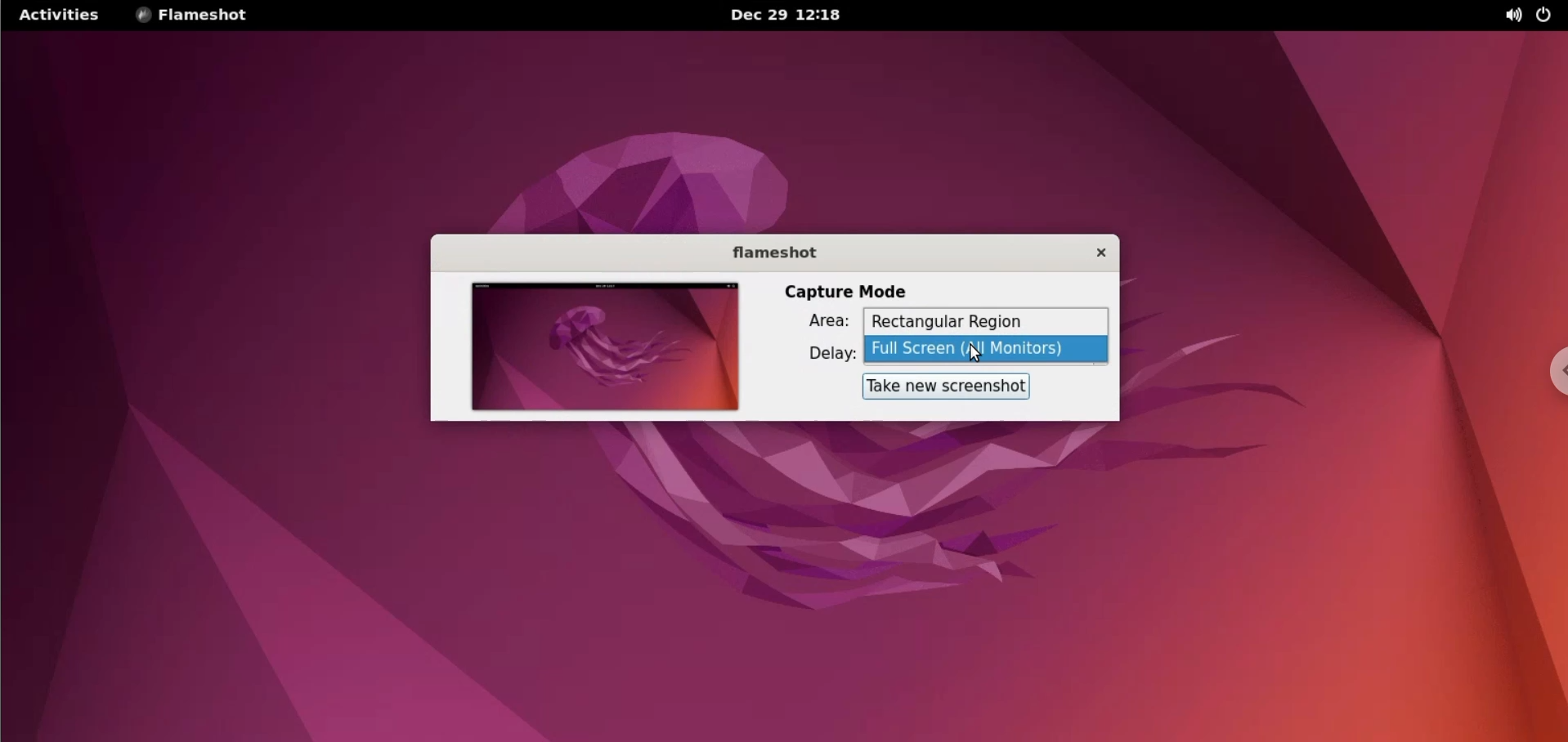  Describe the element at coordinates (605, 347) in the screenshot. I see `screenshot preview` at that location.